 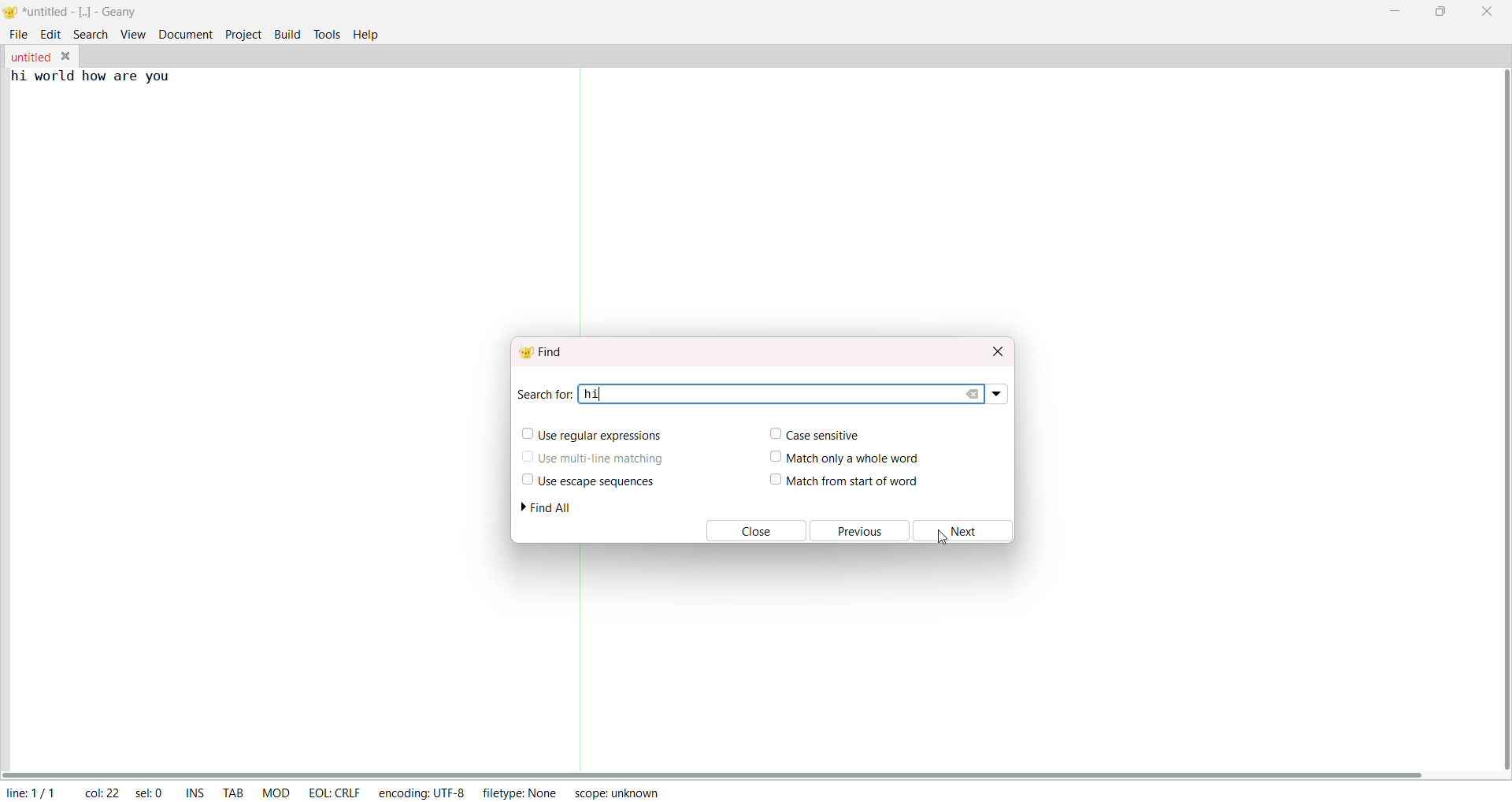 I want to click on build, so click(x=286, y=33).